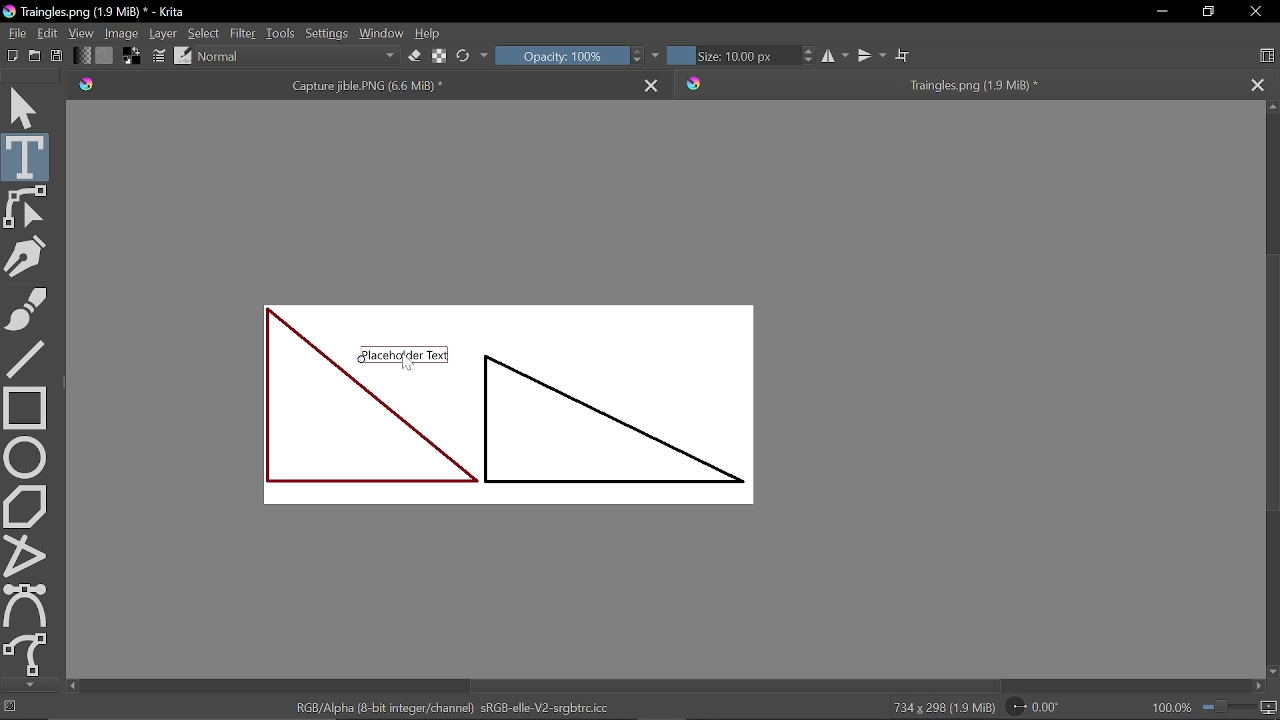  Describe the element at coordinates (326, 33) in the screenshot. I see `Settings` at that location.